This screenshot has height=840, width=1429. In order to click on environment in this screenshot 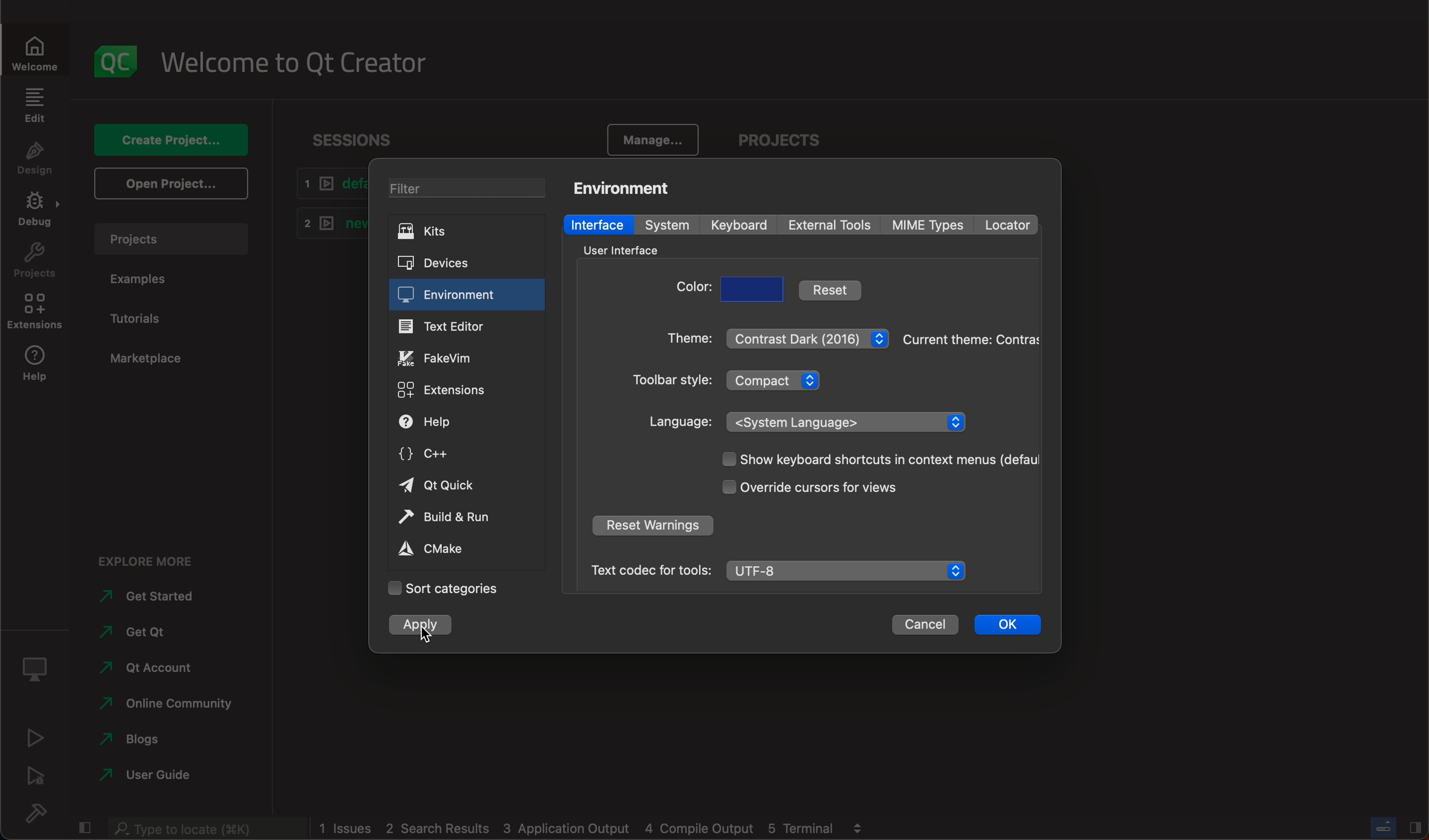, I will do `click(628, 187)`.